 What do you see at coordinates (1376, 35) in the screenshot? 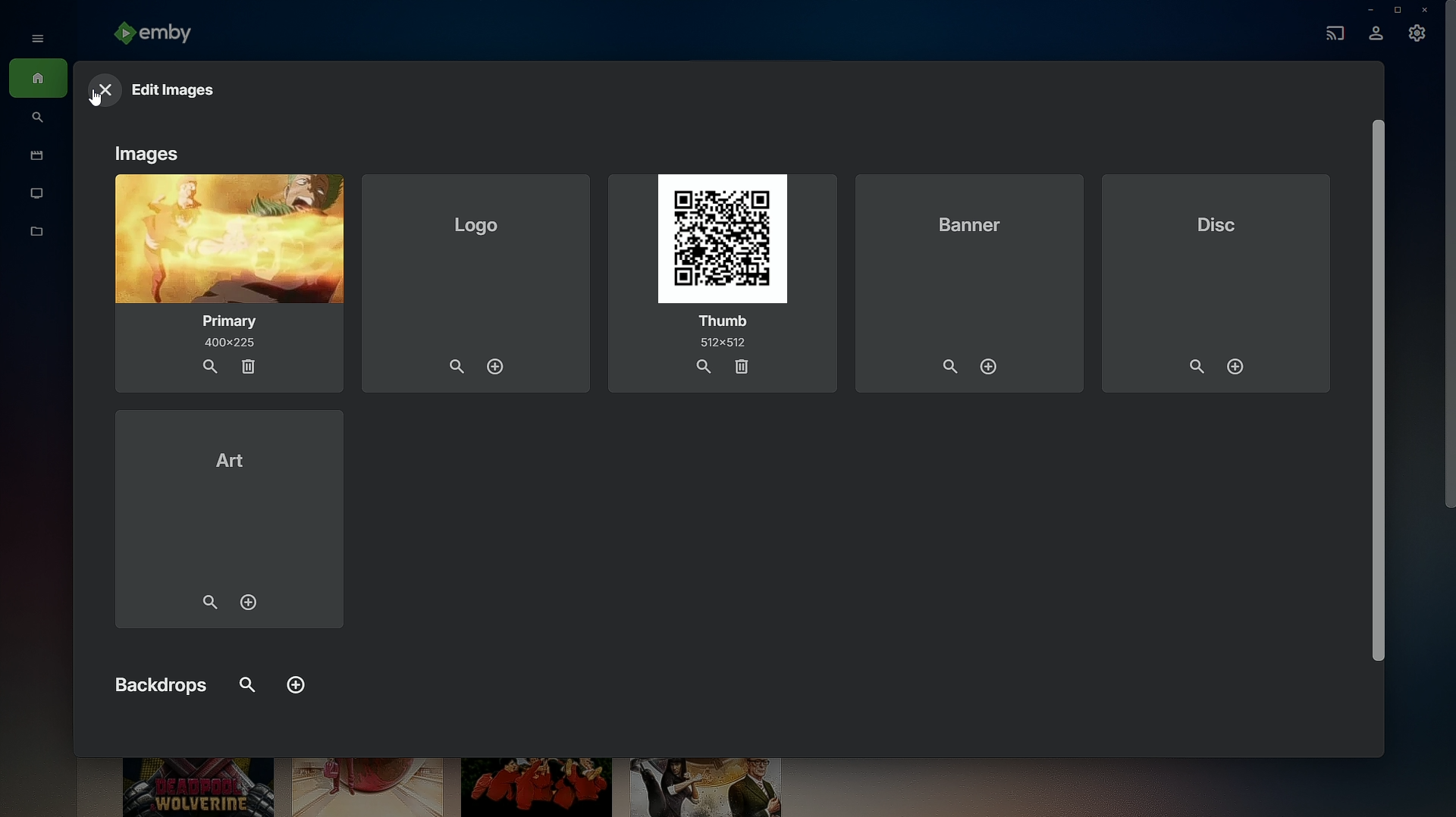
I see `Account` at bounding box center [1376, 35].